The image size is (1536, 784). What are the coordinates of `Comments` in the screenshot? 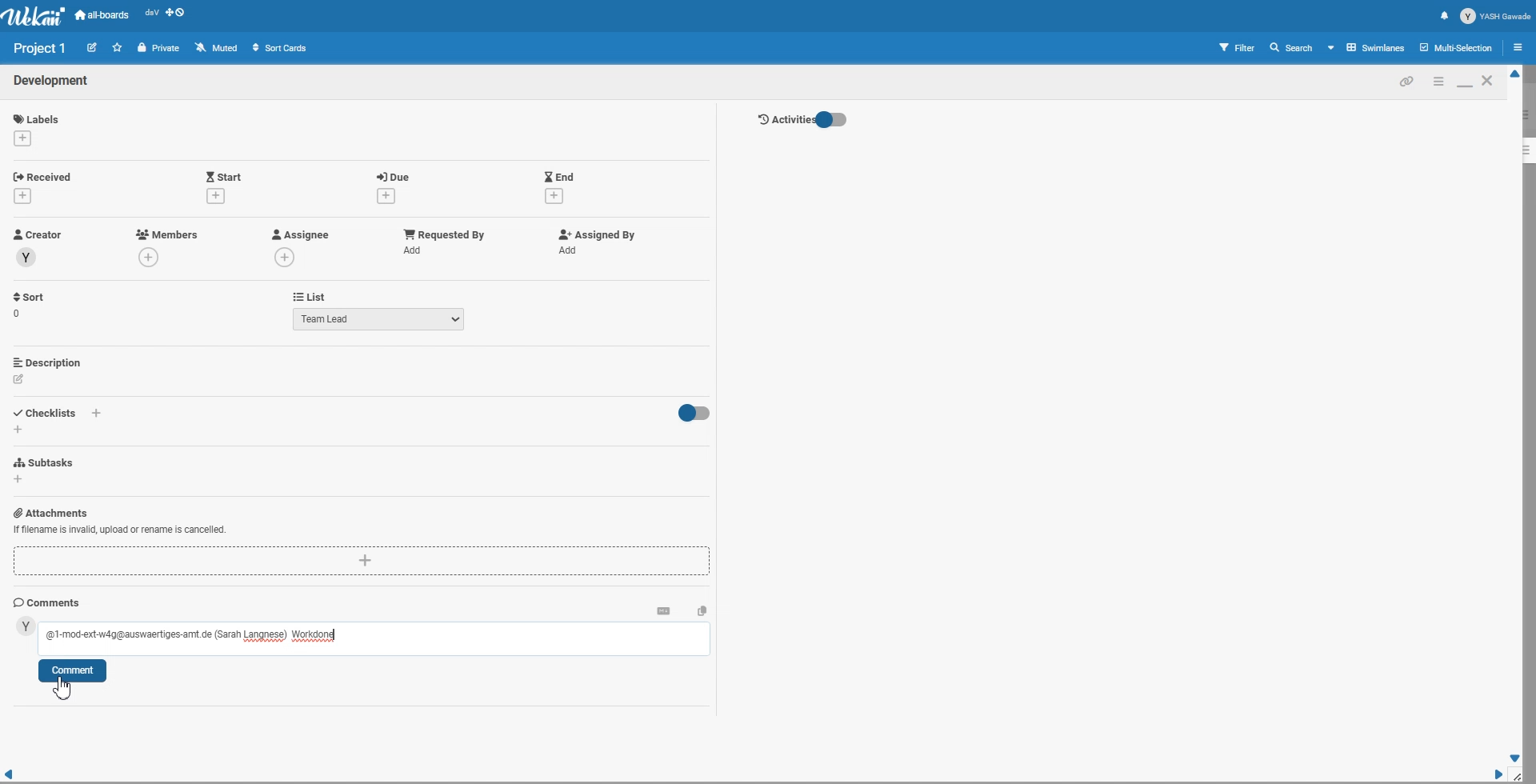 It's located at (47, 602).